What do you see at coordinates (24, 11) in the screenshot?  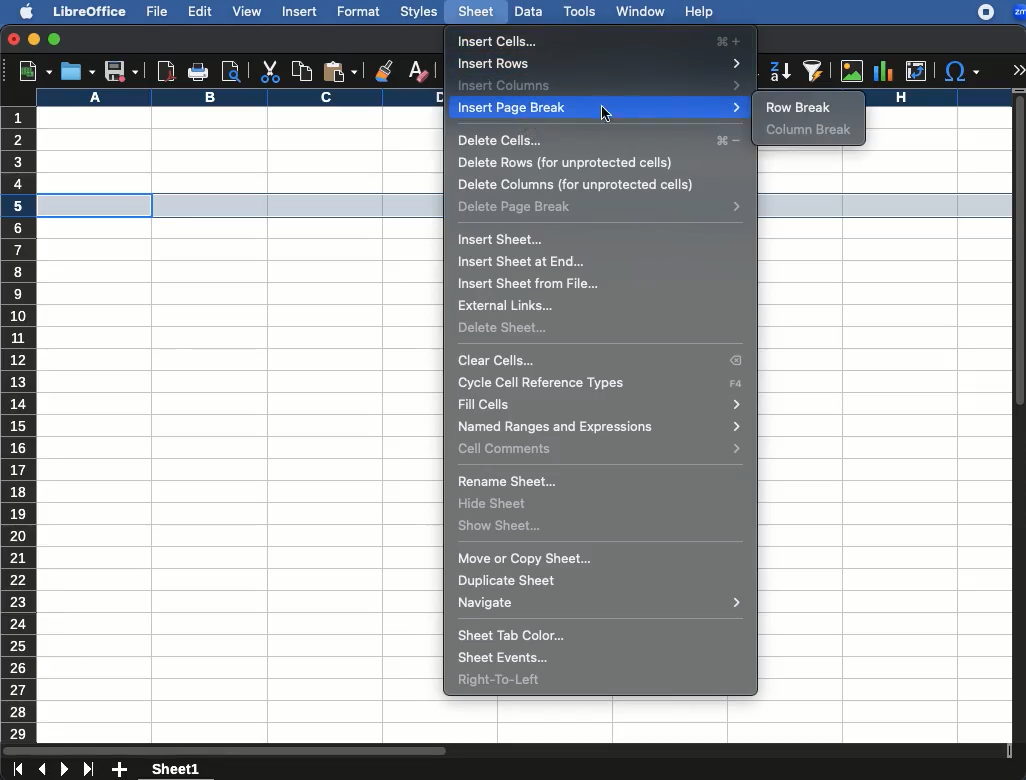 I see `apple` at bounding box center [24, 11].